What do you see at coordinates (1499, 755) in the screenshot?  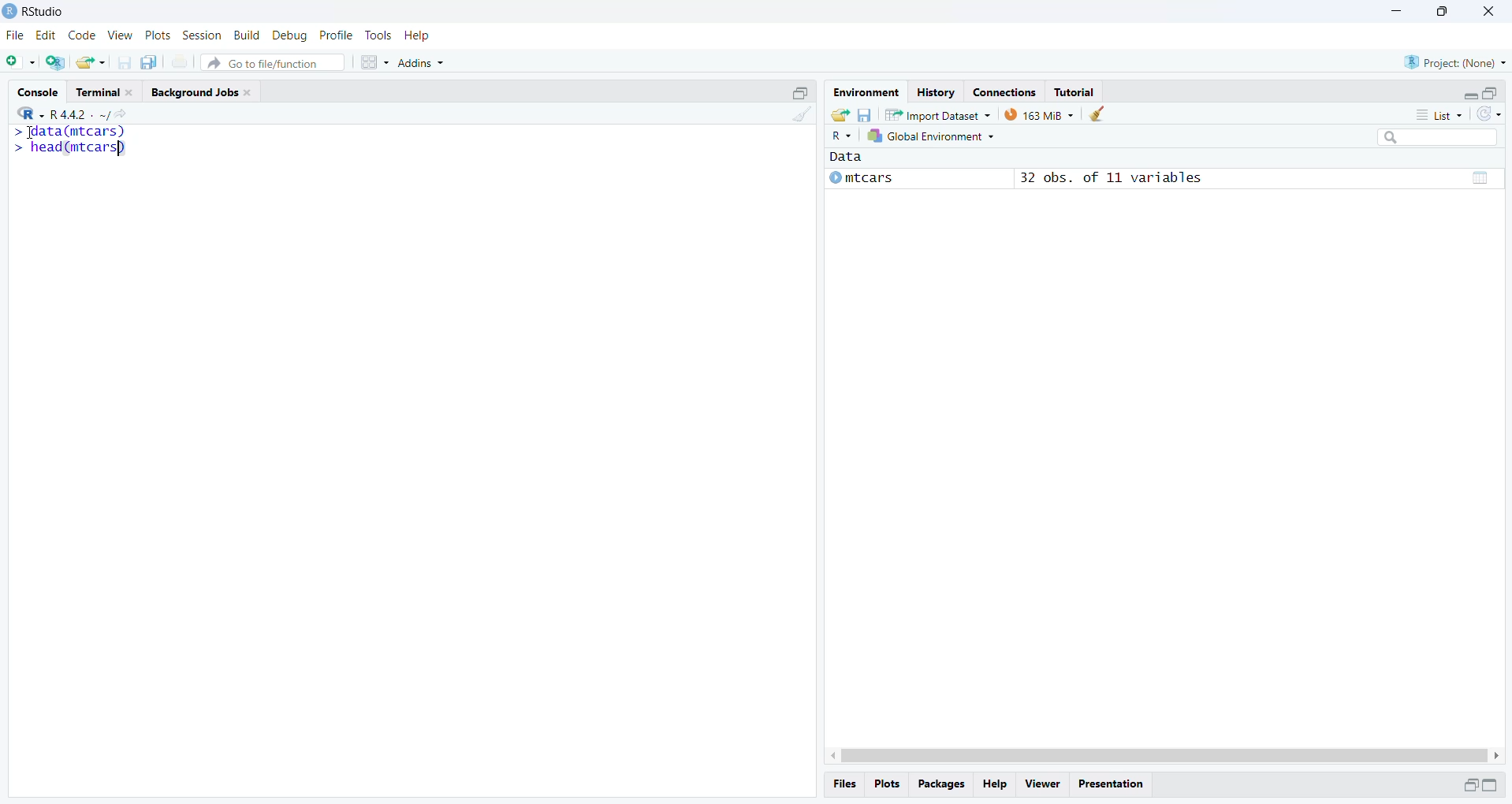 I see `scroll right` at bounding box center [1499, 755].